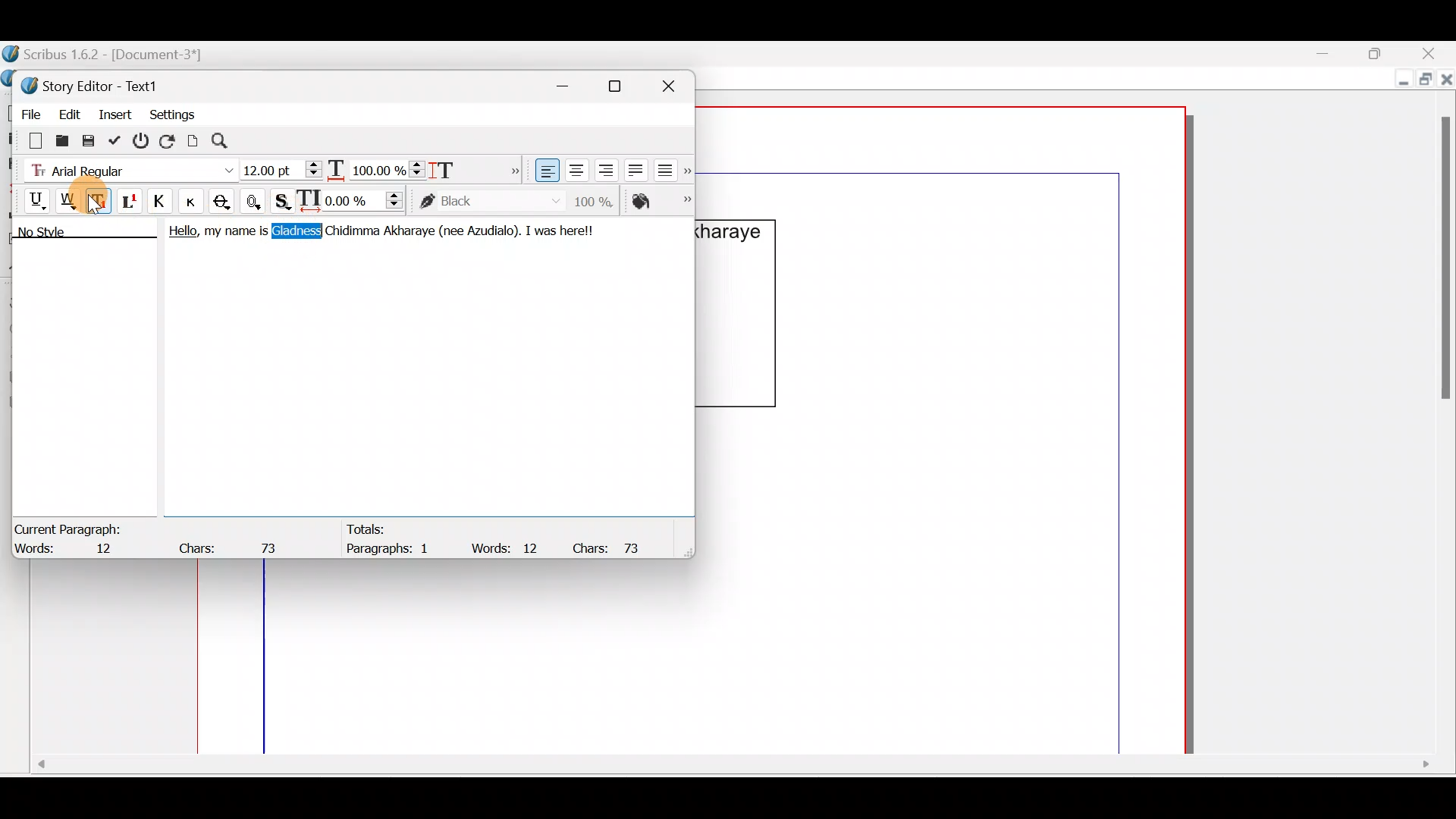 Image resolution: width=1456 pixels, height=819 pixels. I want to click on Small caps, so click(195, 200).